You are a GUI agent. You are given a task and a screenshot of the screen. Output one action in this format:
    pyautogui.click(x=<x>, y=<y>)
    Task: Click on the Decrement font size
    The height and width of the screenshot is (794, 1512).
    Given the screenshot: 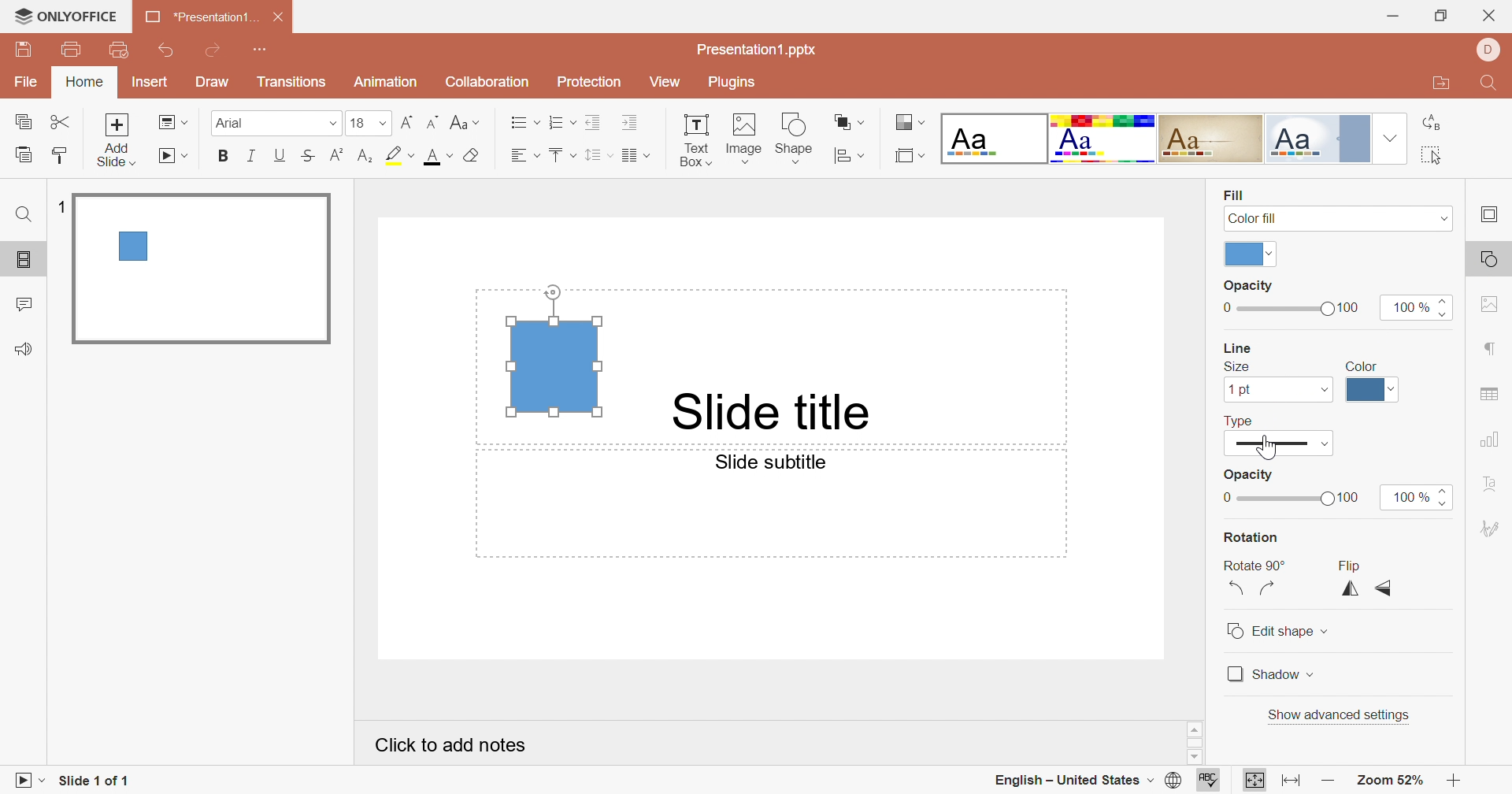 What is the action you would take?
    pyautogui.click(x=432, y=123)
    